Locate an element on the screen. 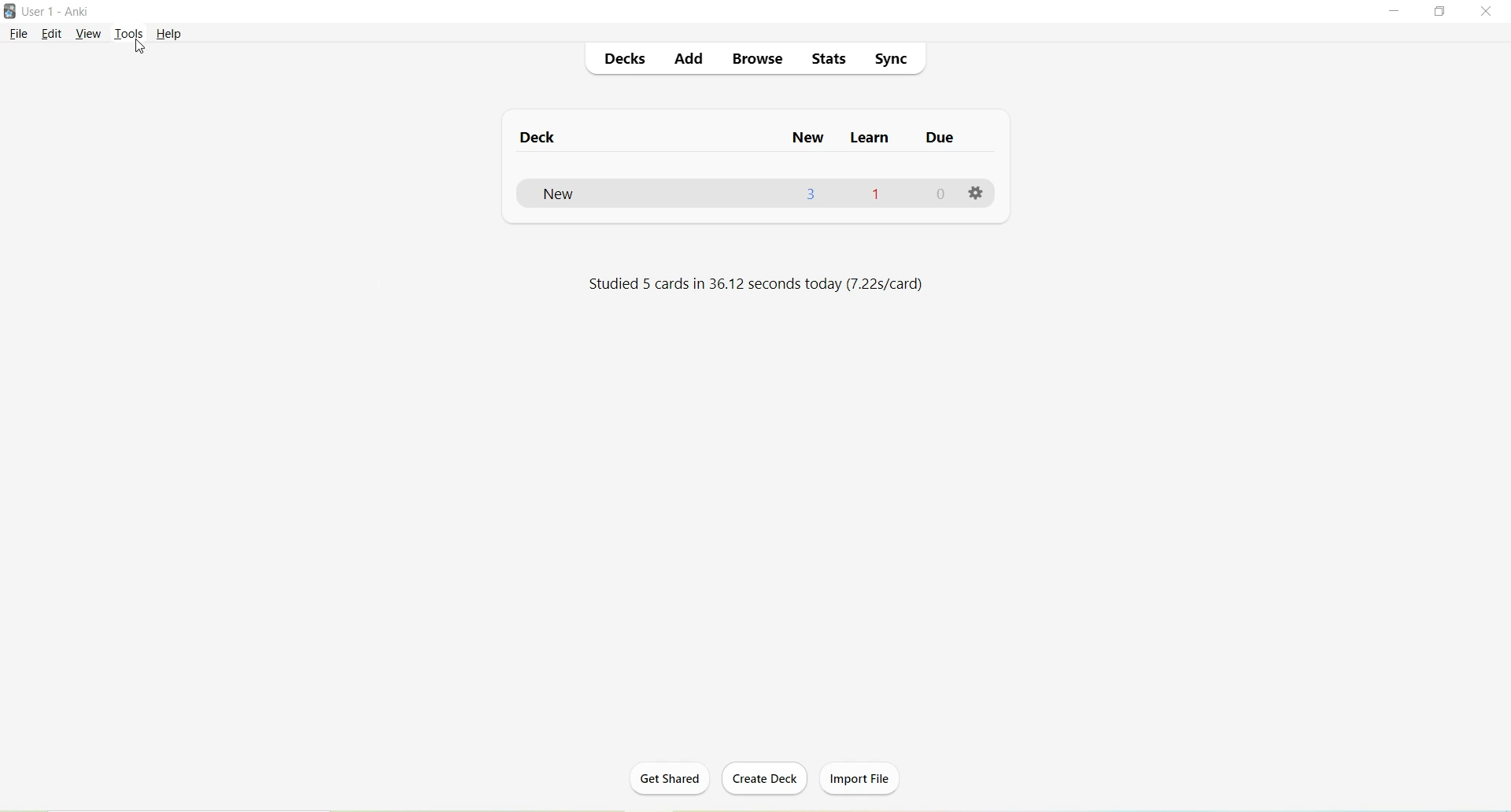 The height and width of the screenshot is (812, 1511). Options is located at coordinates (977, 195).